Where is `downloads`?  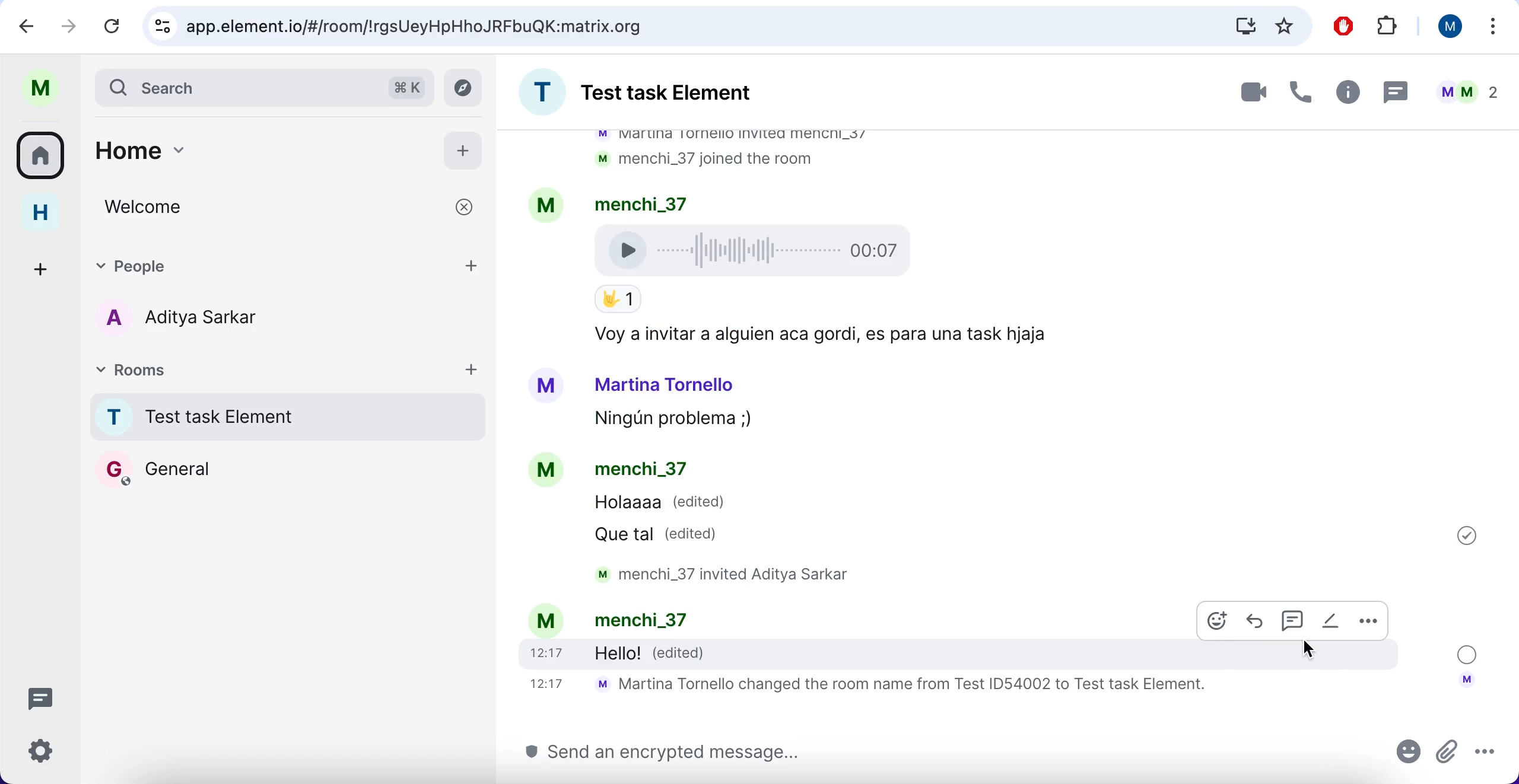
downloads is located at coordinates (1240, 27).